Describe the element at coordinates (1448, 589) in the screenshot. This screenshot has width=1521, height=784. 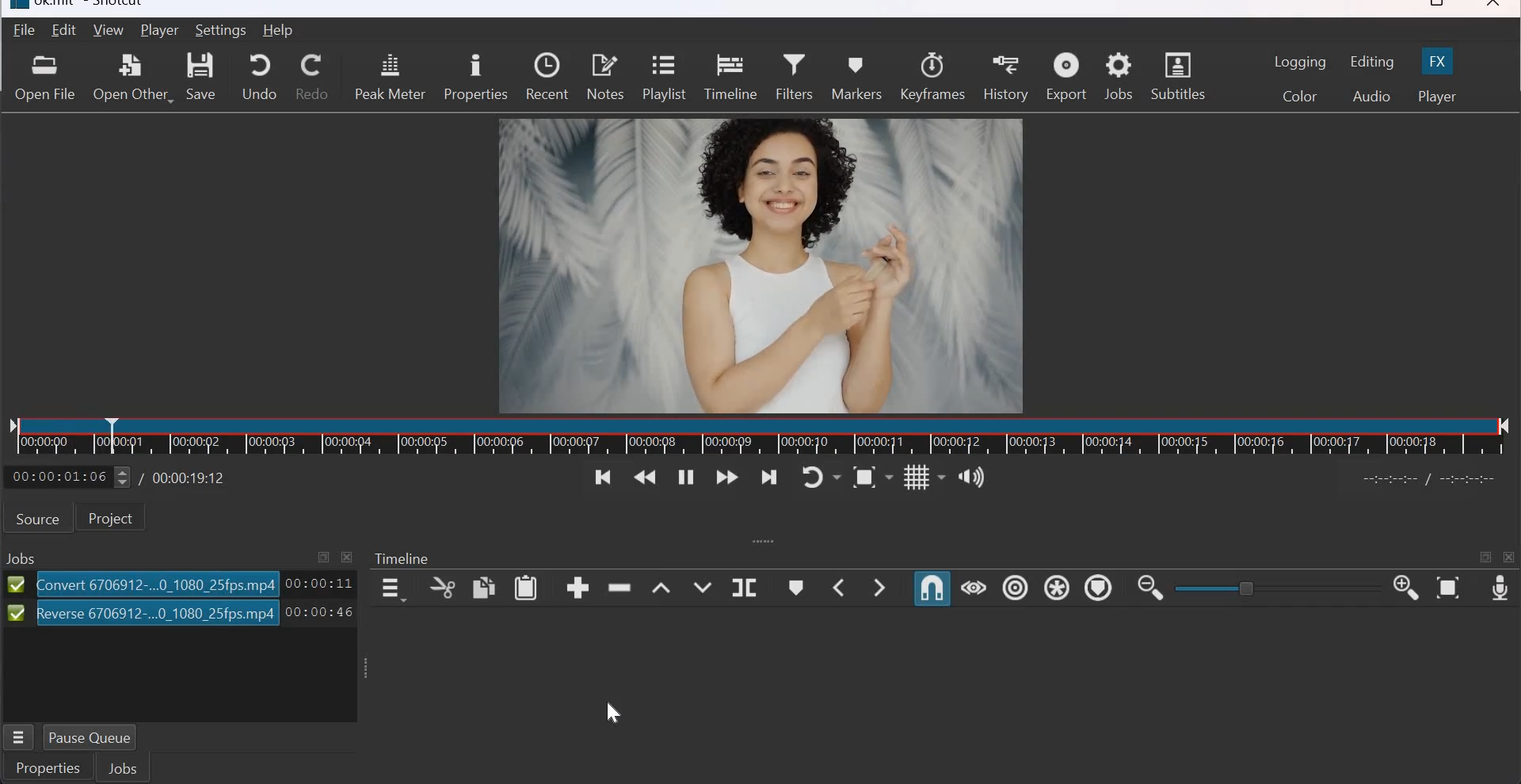
I see `Zoom Timeline to Fit` at that location.